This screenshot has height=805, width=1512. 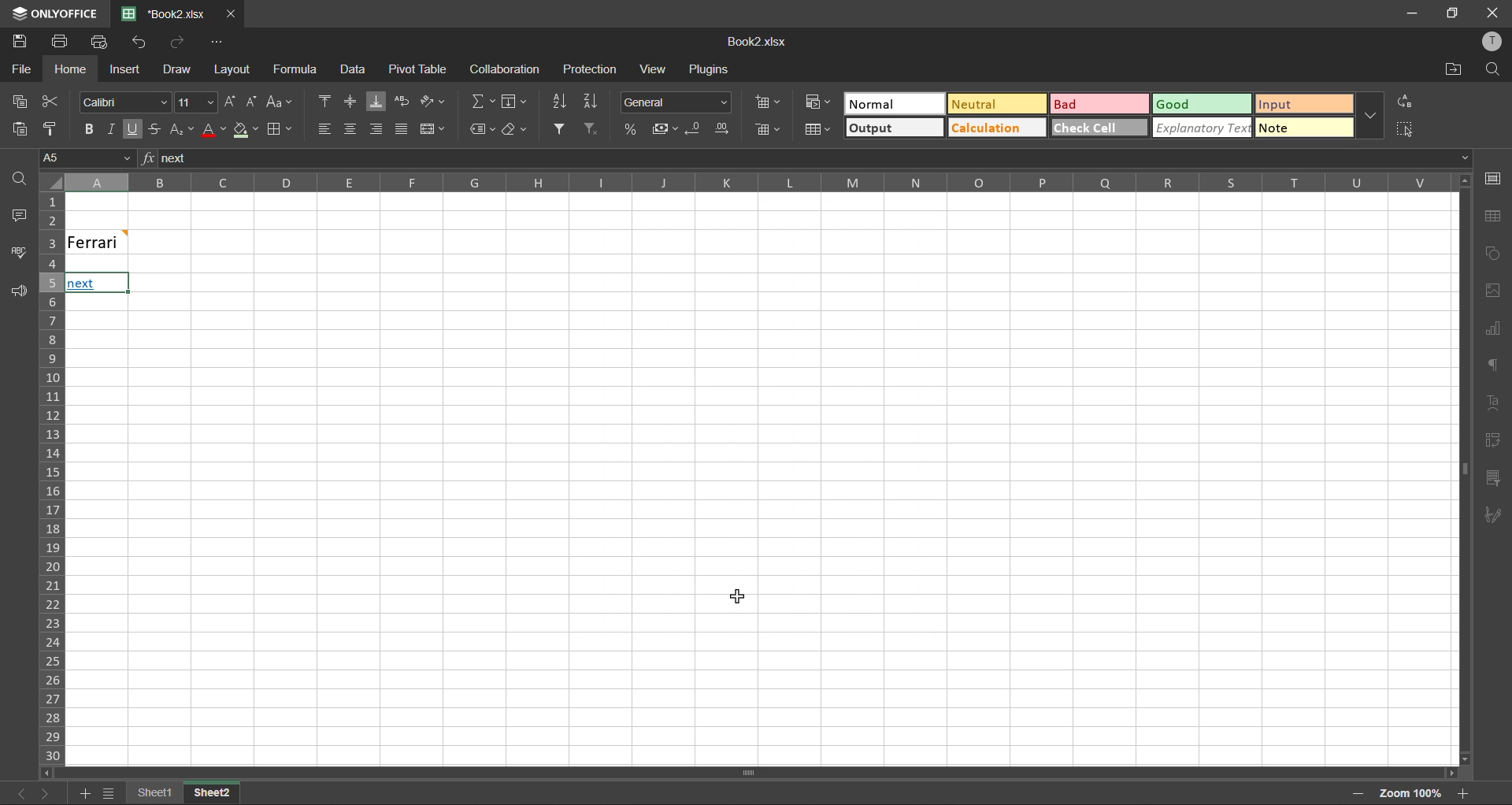 What do you see at coordinates (86, 158) in the screenshot?
I see `cell address` at bounding box center [86, 158].